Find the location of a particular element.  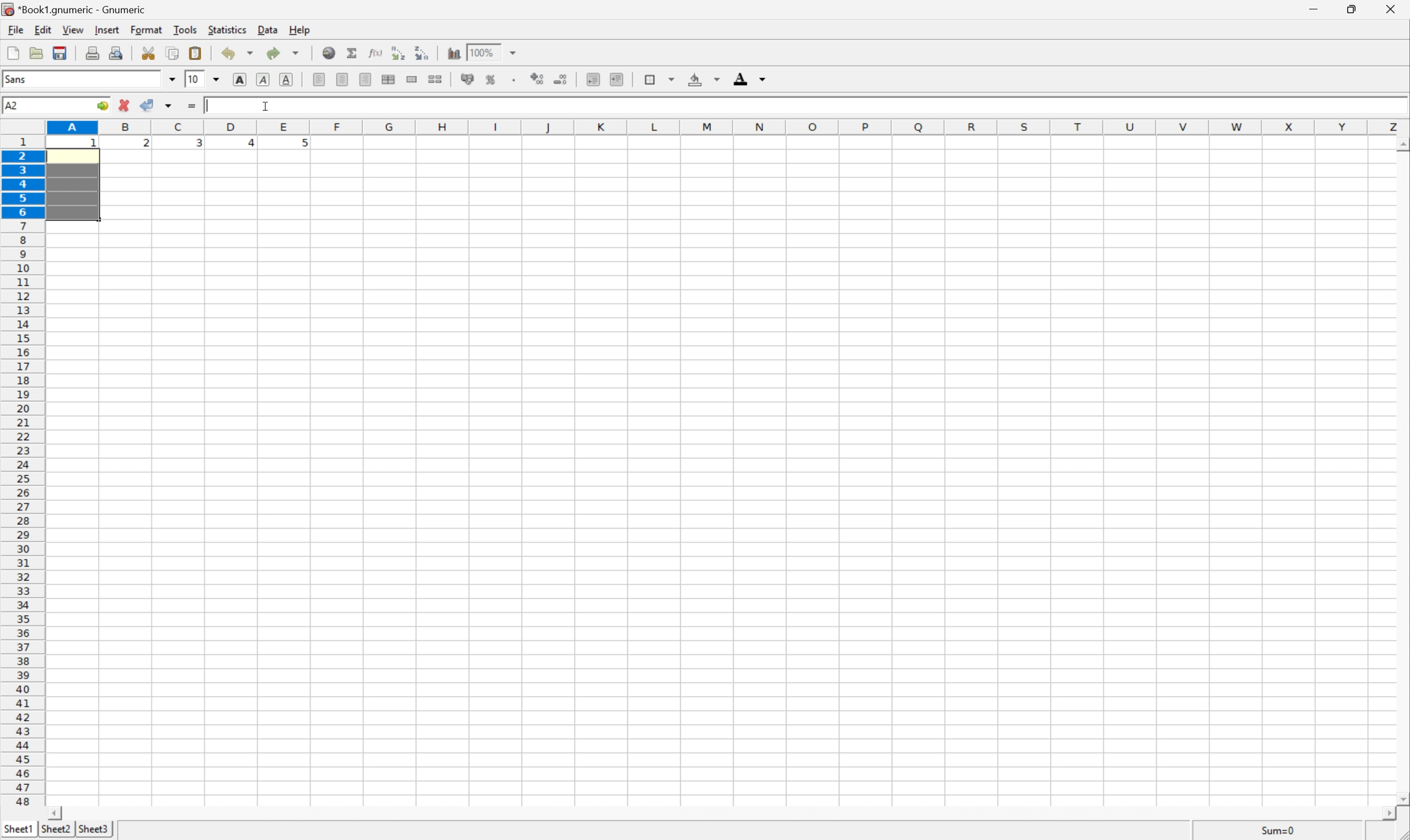

insert is located at coordinates (107, 29).